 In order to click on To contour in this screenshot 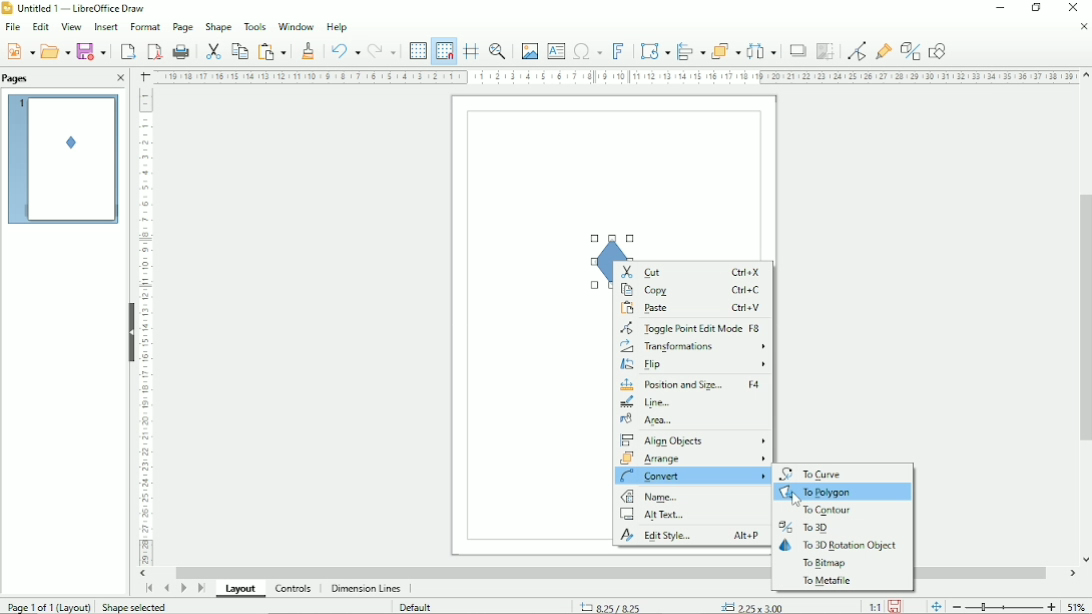, I will do `click(824, 511)`.